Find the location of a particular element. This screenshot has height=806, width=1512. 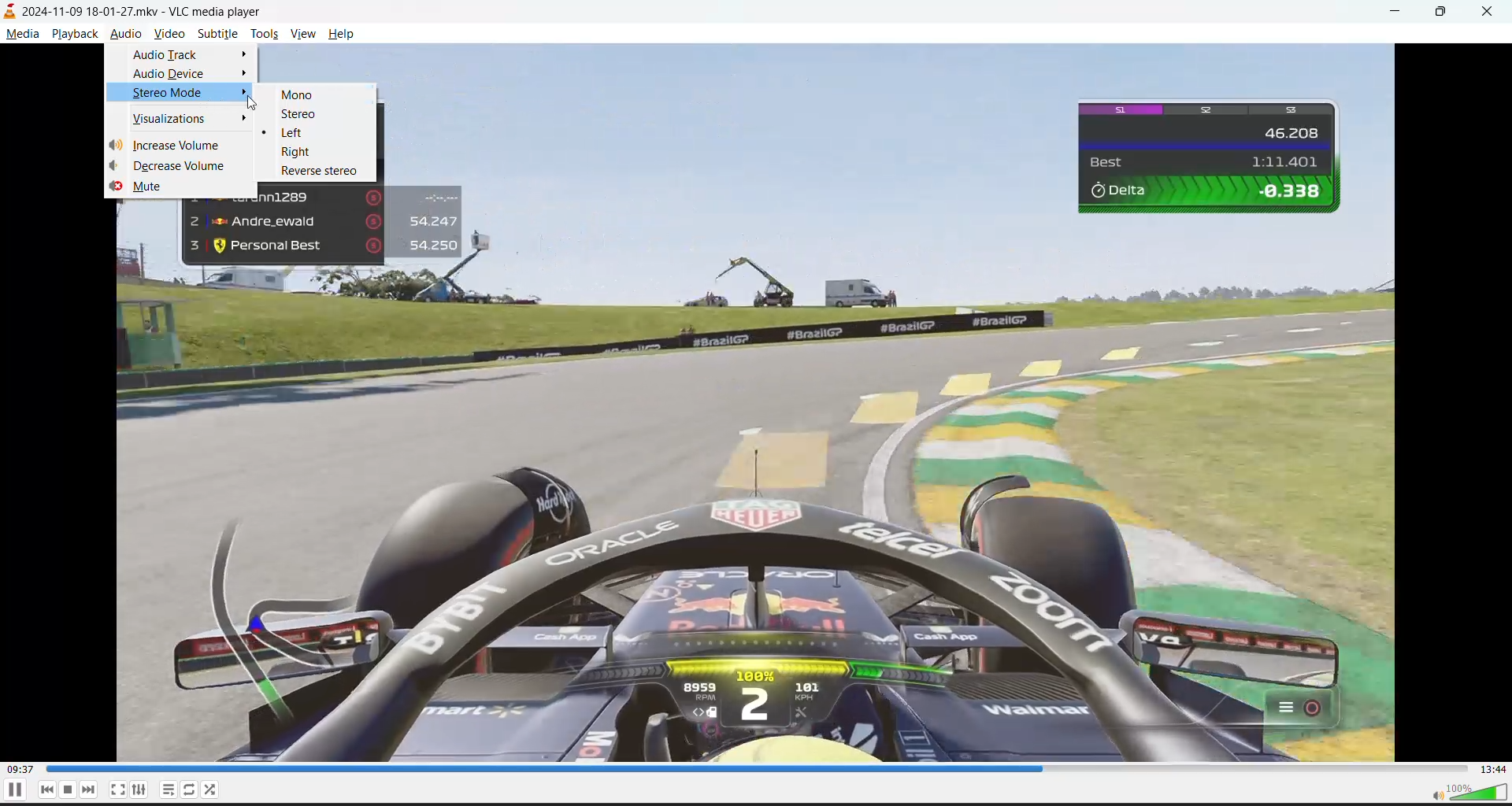

pause is located at coordinates (67, 791).